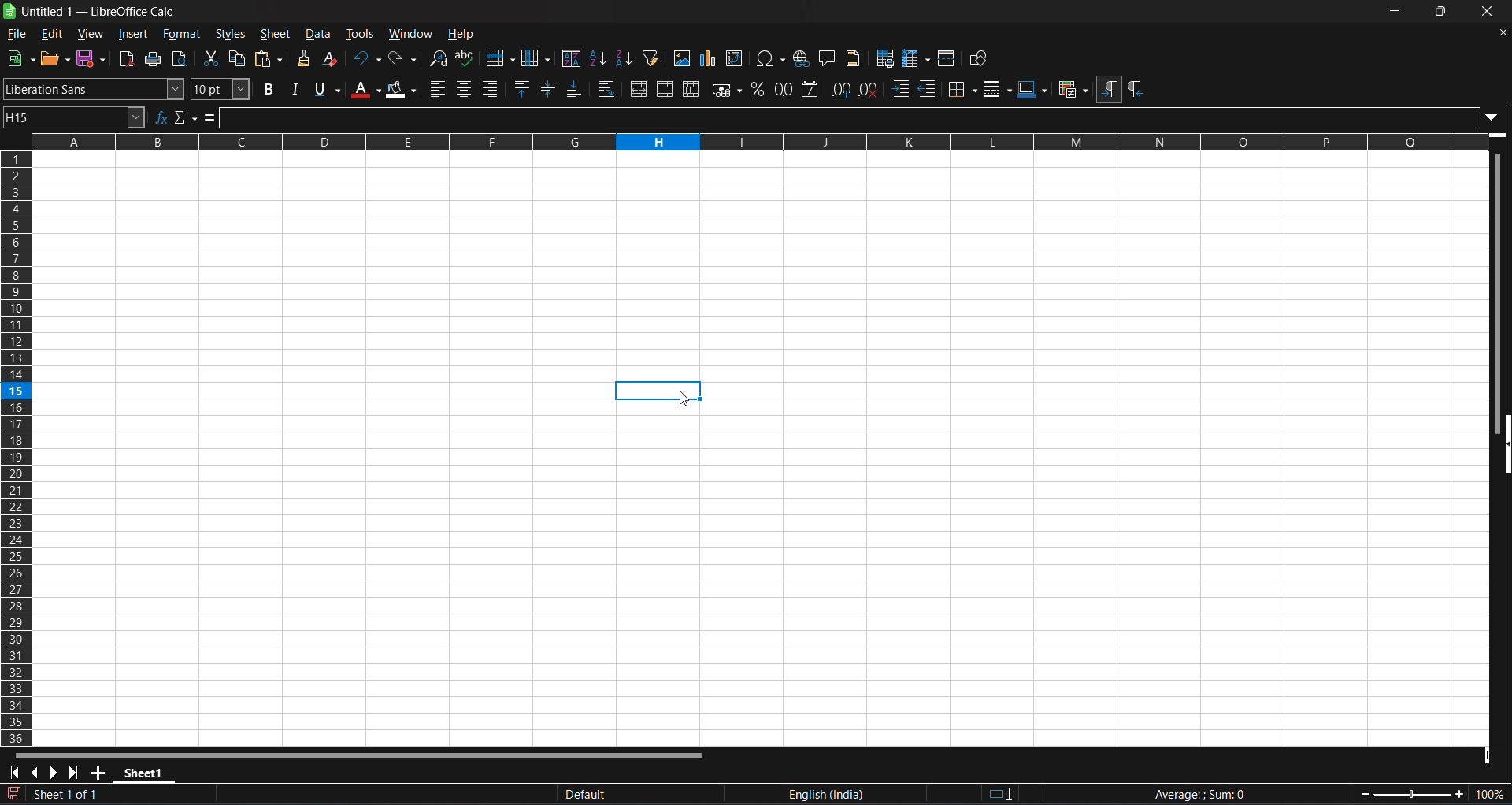 Image resolution: width=1512 pixels, height=805 pixels. What do you see at coordinates (21, 58) in the screenshot?
I see `new` at bounding box center [21, 58].